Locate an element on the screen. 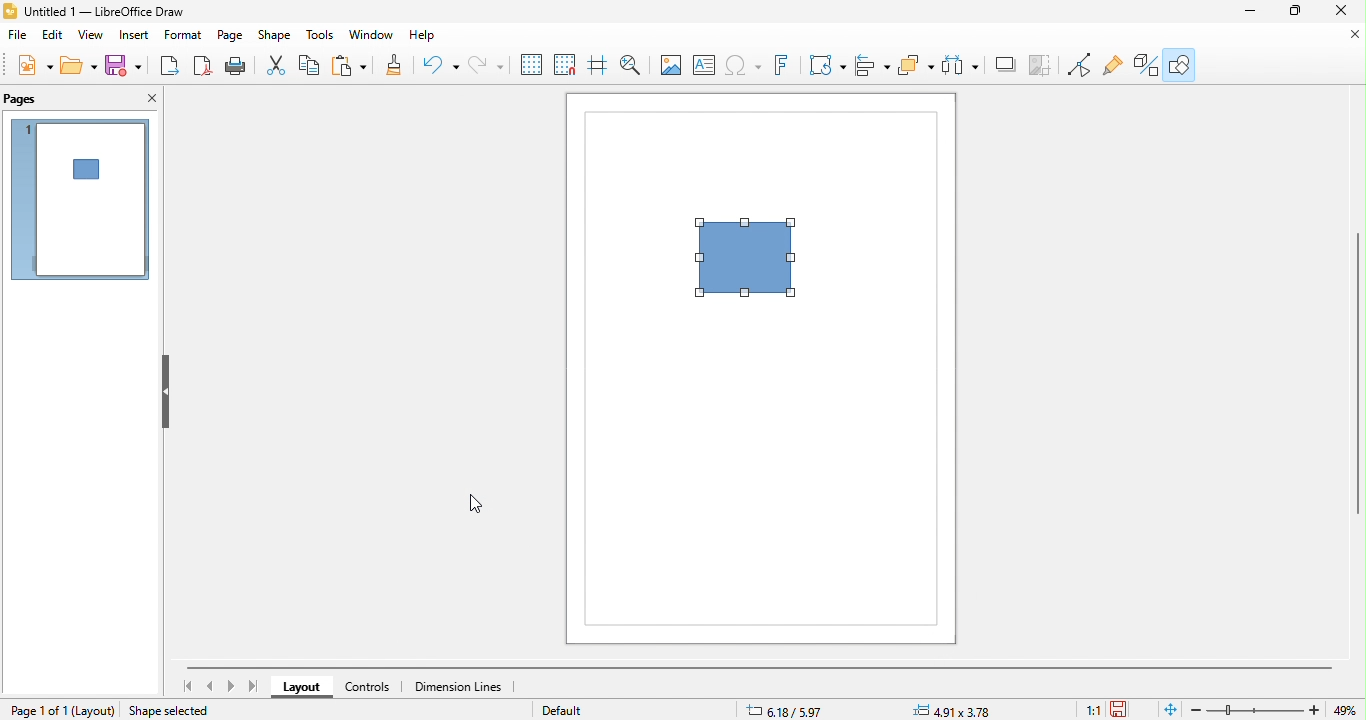 The height and width of the screenshot is (720, 1366). 0.00 x0.00 is located at coordinates (955, 709).